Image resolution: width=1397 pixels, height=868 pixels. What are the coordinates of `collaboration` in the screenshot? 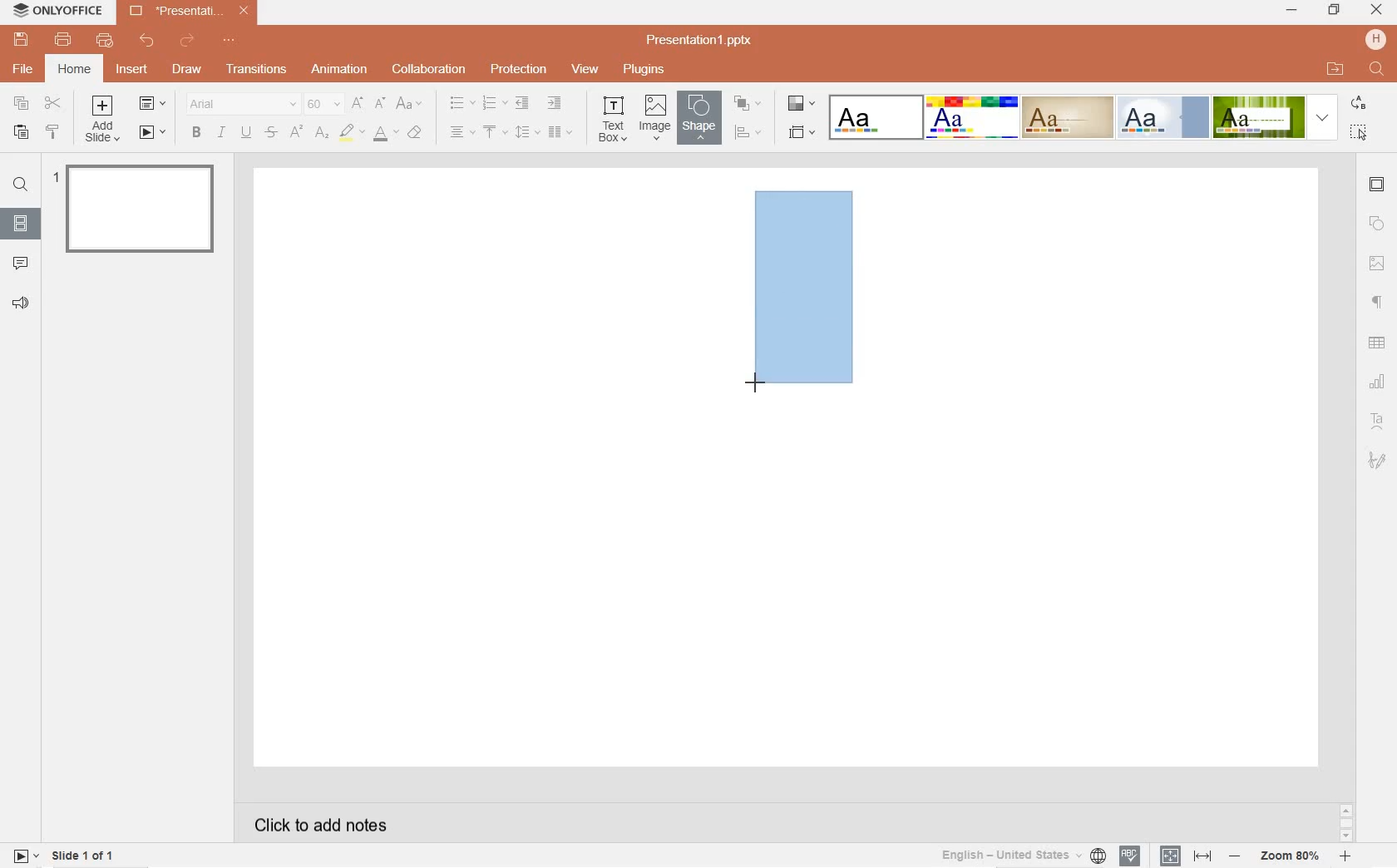 It's located at (430, 69).